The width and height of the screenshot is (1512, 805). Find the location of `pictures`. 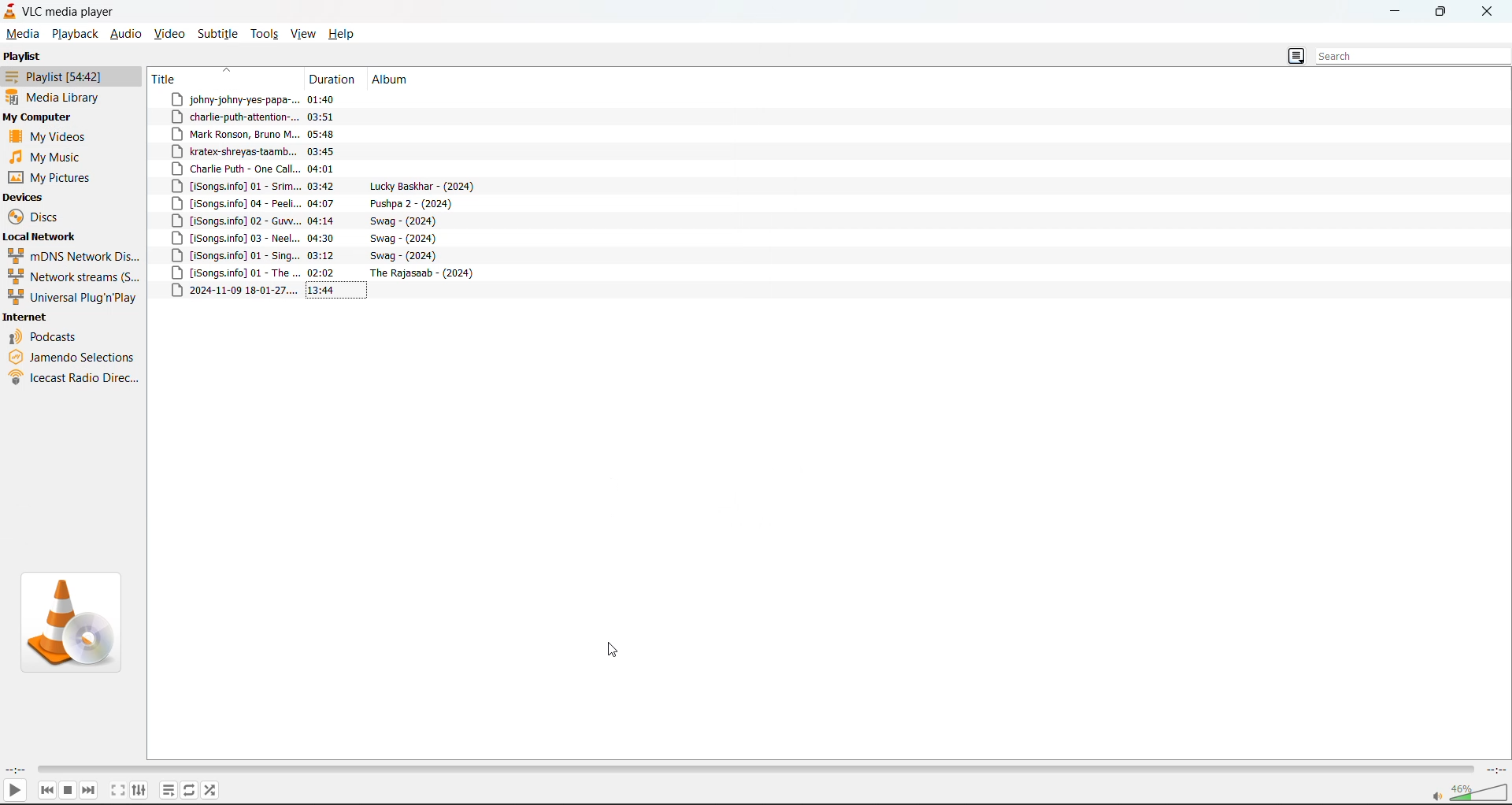

pictures is located at coordinates (57, 176).